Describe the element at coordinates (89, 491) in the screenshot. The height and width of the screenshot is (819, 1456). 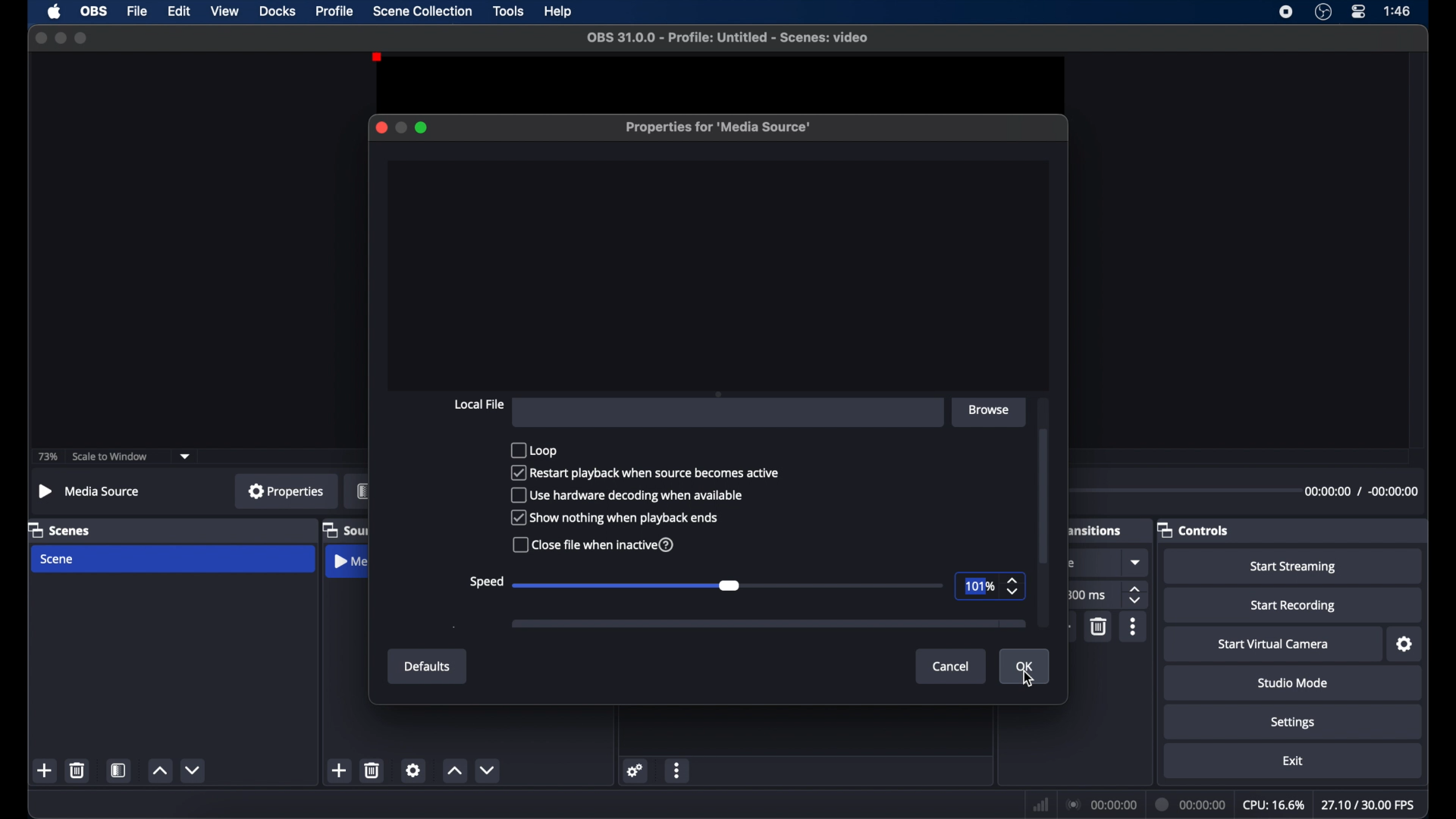
I see `no source selected` at that location.